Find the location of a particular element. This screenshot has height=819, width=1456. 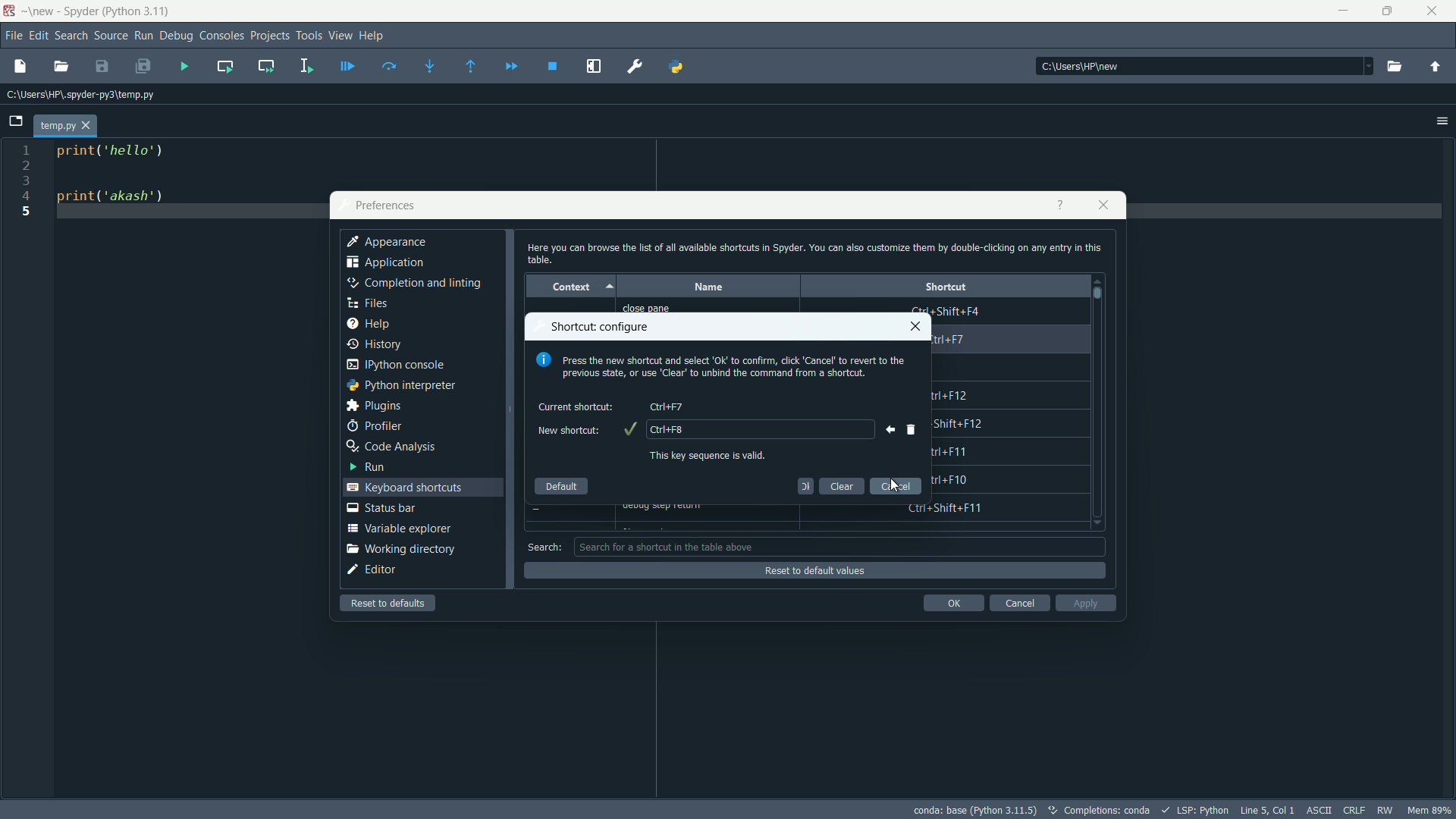

apply is located at coordinates (1086, 603).